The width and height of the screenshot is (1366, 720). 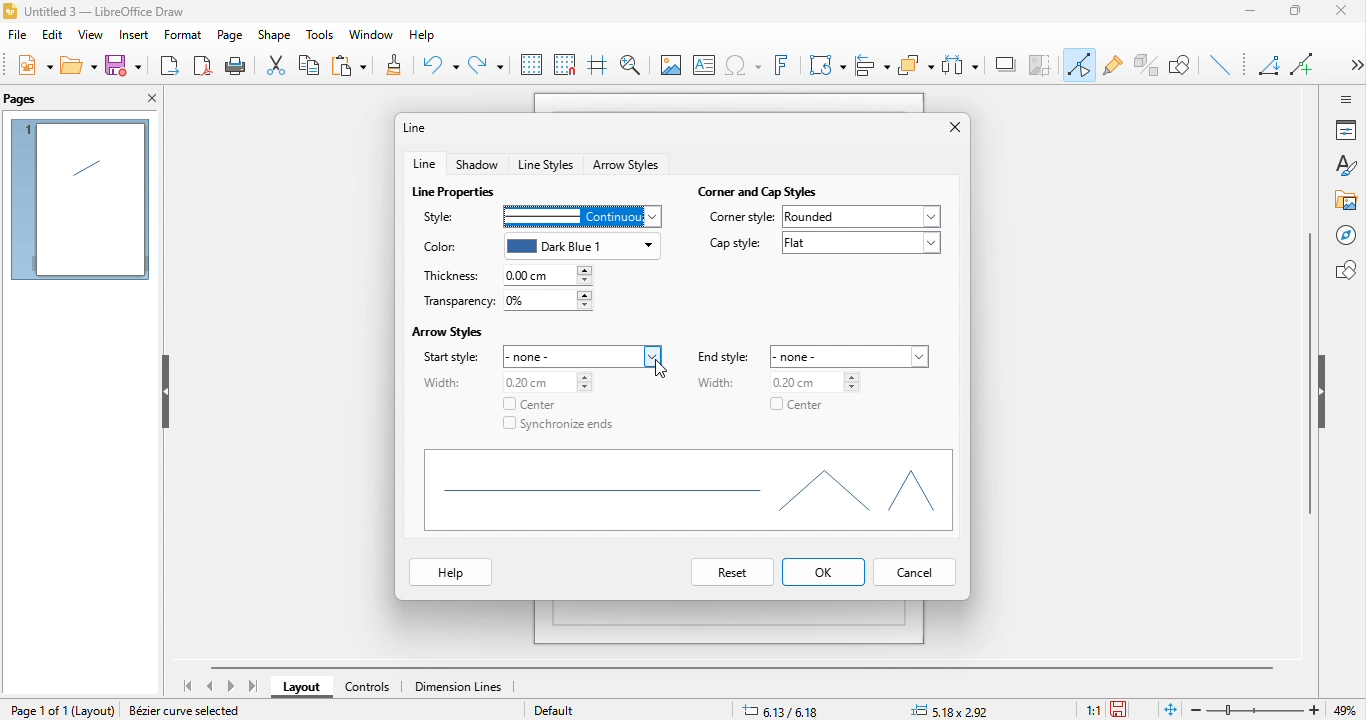 I want to click on line properties, so click(x=457, y=190).